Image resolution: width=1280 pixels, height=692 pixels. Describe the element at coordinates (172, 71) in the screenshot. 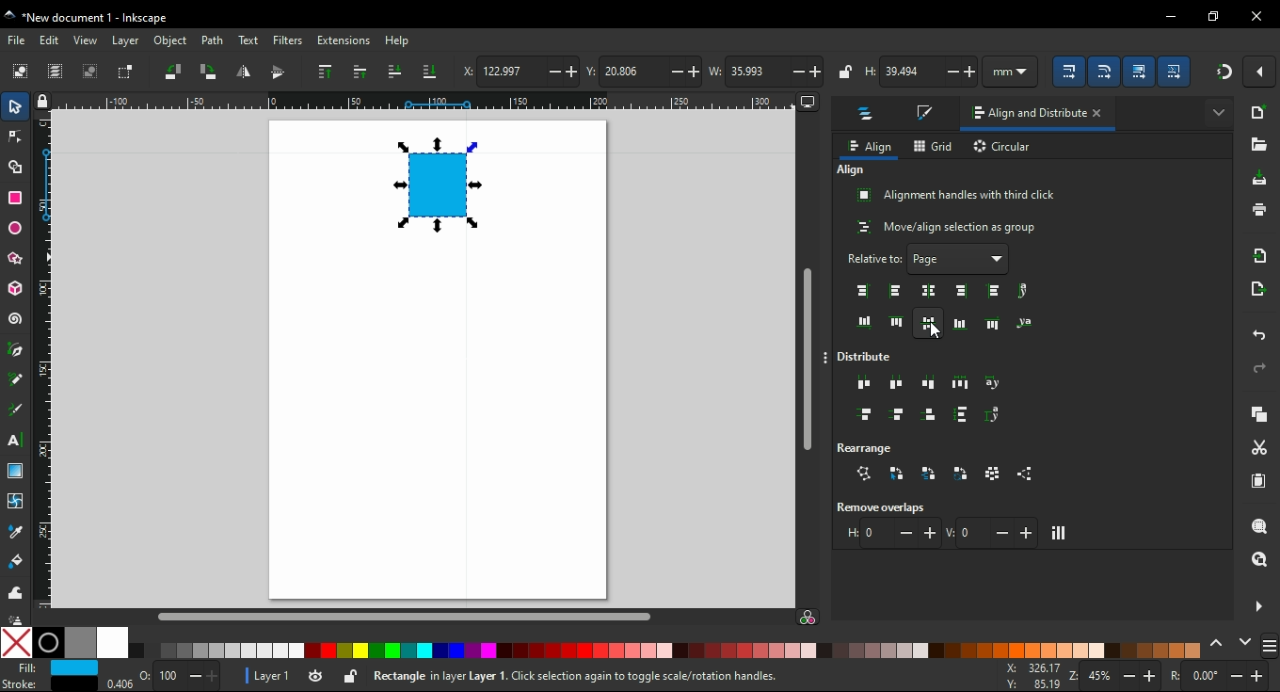

I see `rotate object 90 CCW` at that location.